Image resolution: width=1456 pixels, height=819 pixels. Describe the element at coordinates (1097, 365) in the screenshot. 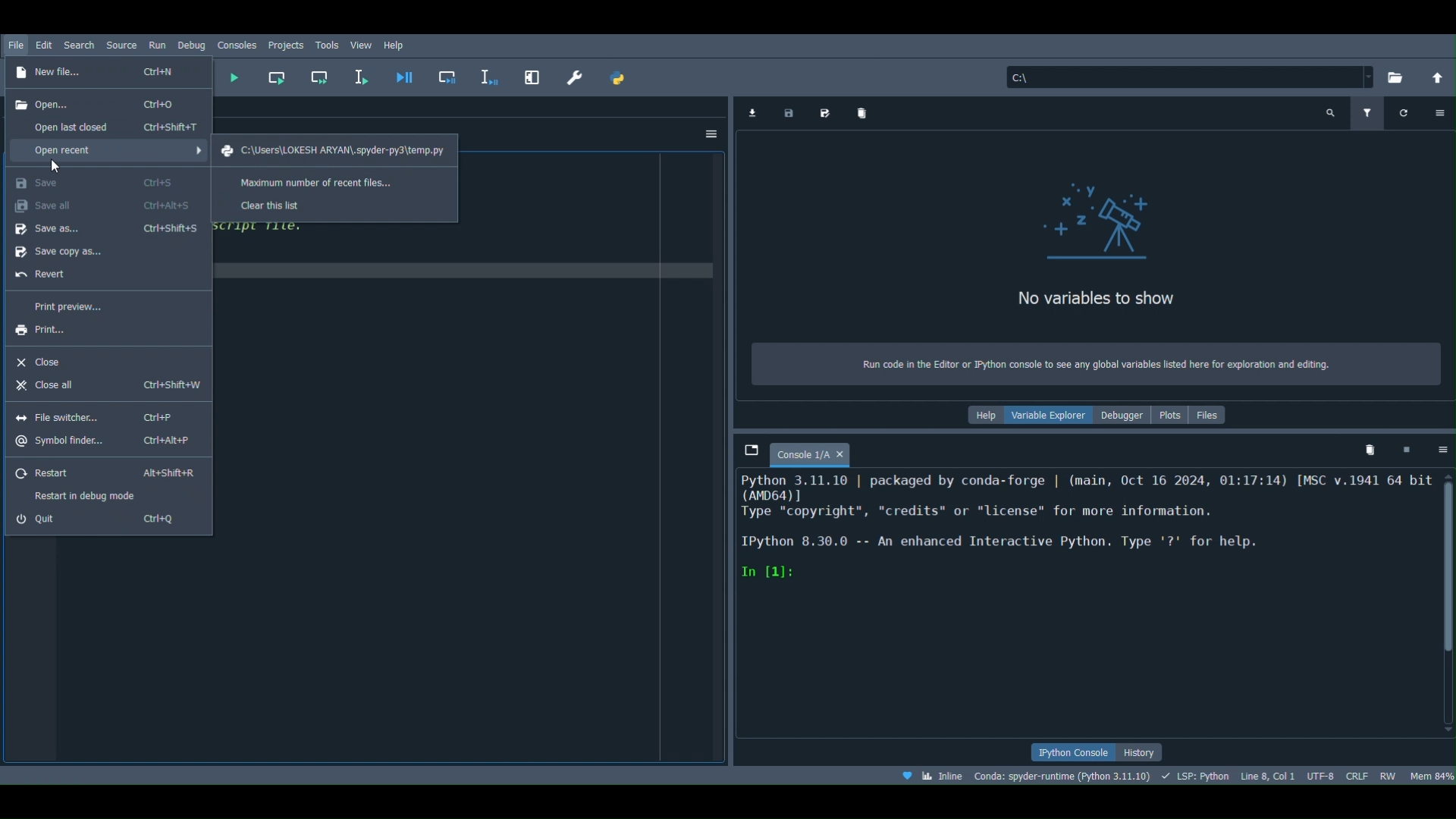

I see `Run code in the Editor or Python console to see any global variables listed here for exploration and editing` at that location.